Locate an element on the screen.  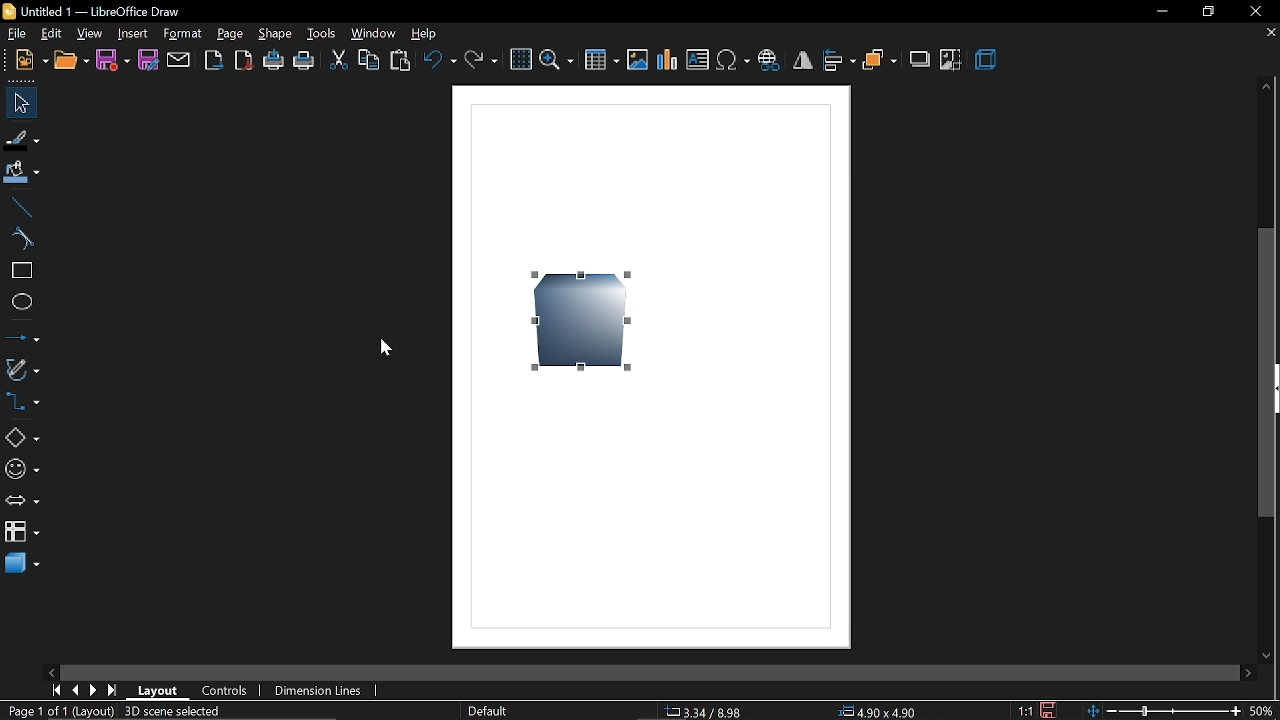
curves and polygons is located at coordinates (22, 371).